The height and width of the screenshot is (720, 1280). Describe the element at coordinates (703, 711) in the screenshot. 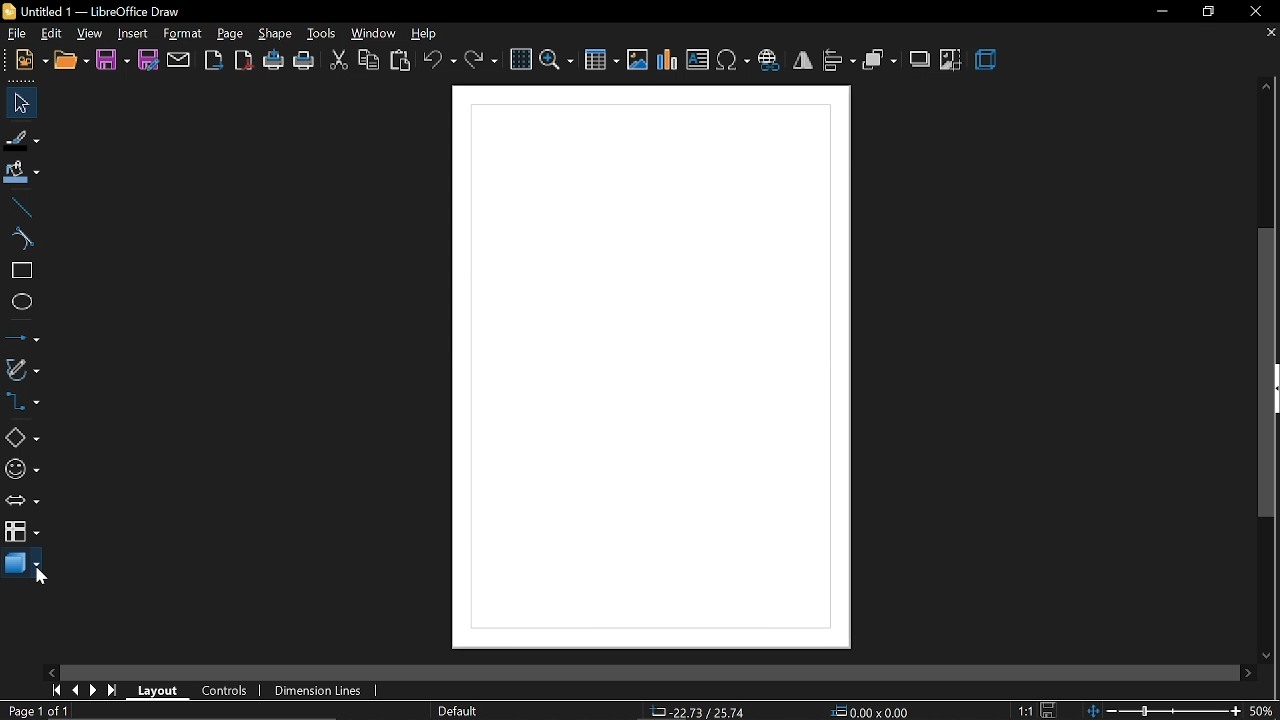

I see `co-ordinates` at that location.